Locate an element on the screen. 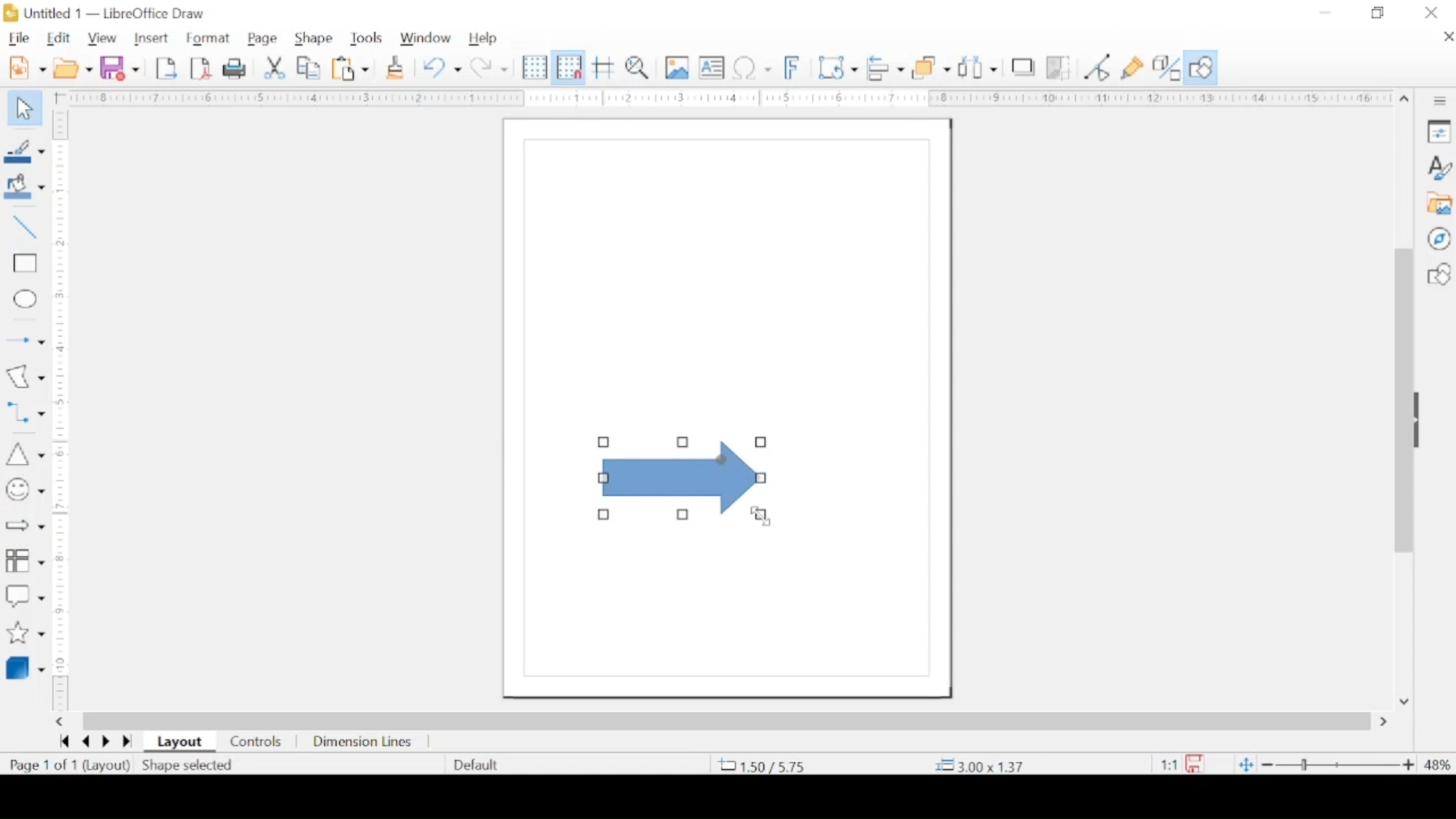 This screenshot has height=819, width=1456. zoom level is located at coordinates (1438, 766).